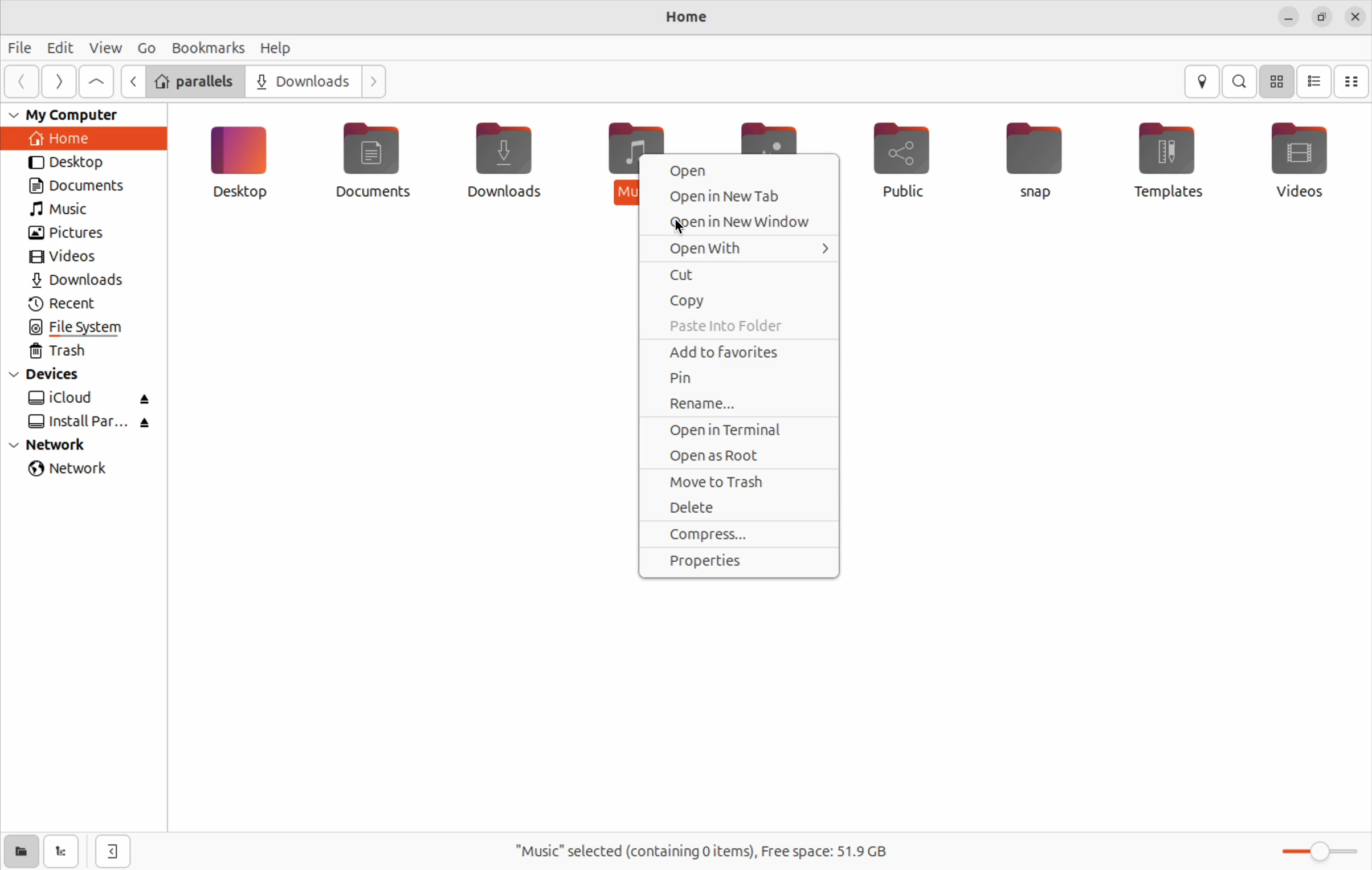 Image resolution: width=1372 pixels, height=870 pixels. I want to click on Pictures, so click(775, 132).